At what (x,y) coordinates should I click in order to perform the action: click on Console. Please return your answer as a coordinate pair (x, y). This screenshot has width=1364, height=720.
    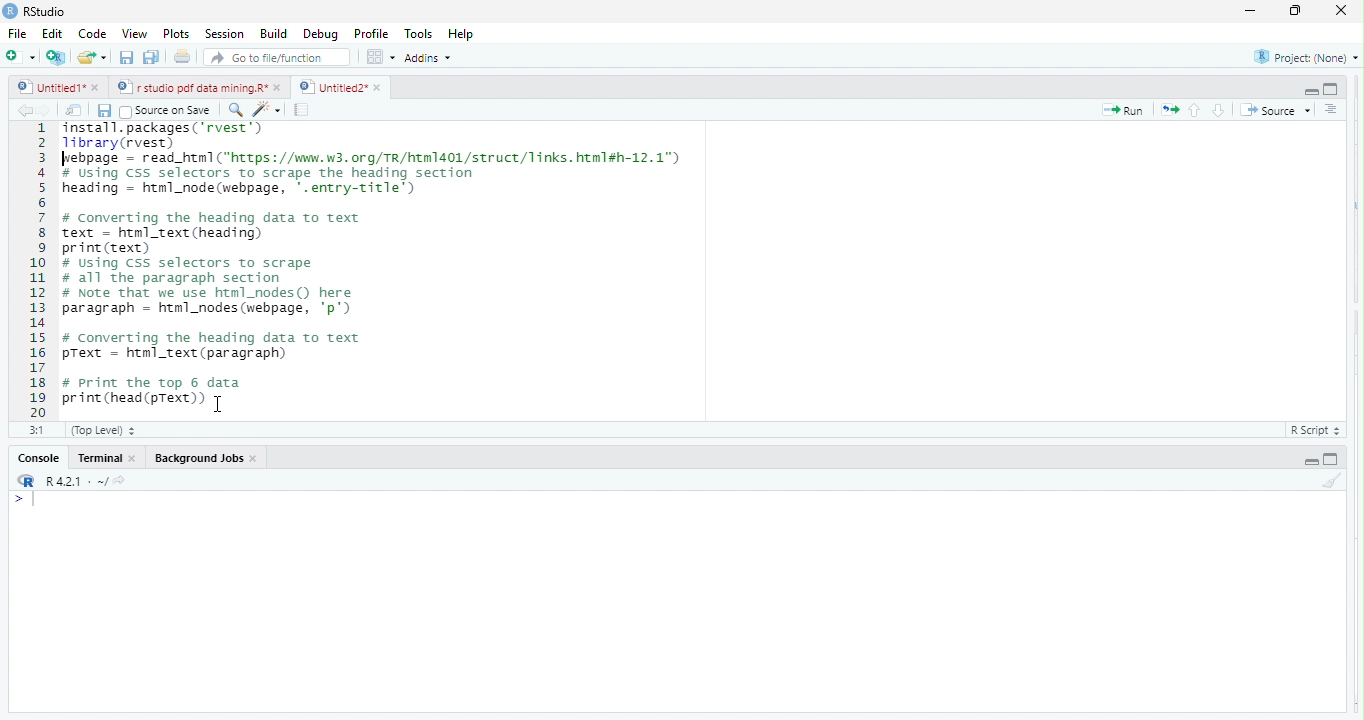
    Looking at the image, I should click on (38, 459).